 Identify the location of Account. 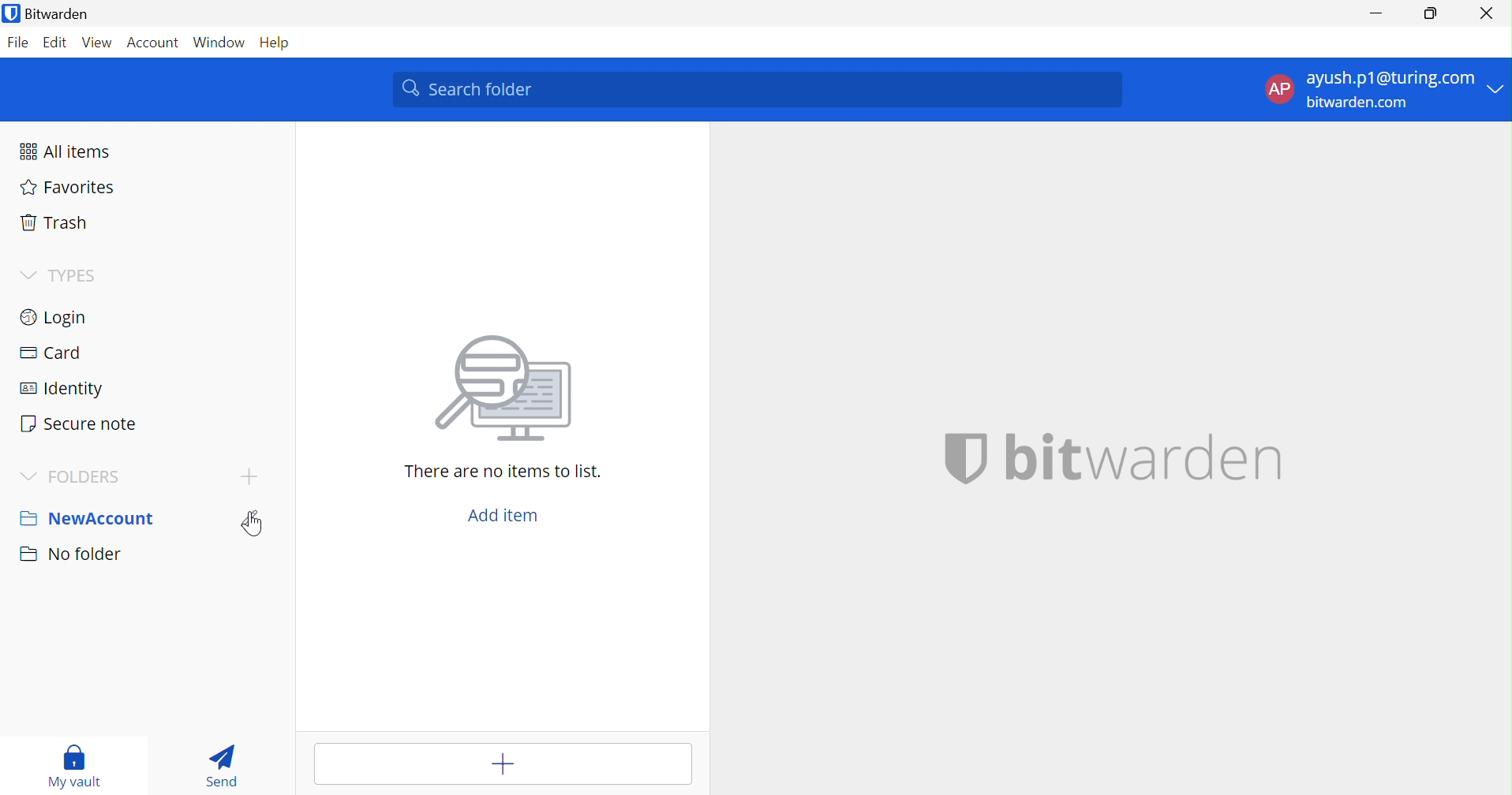
(154, 42).